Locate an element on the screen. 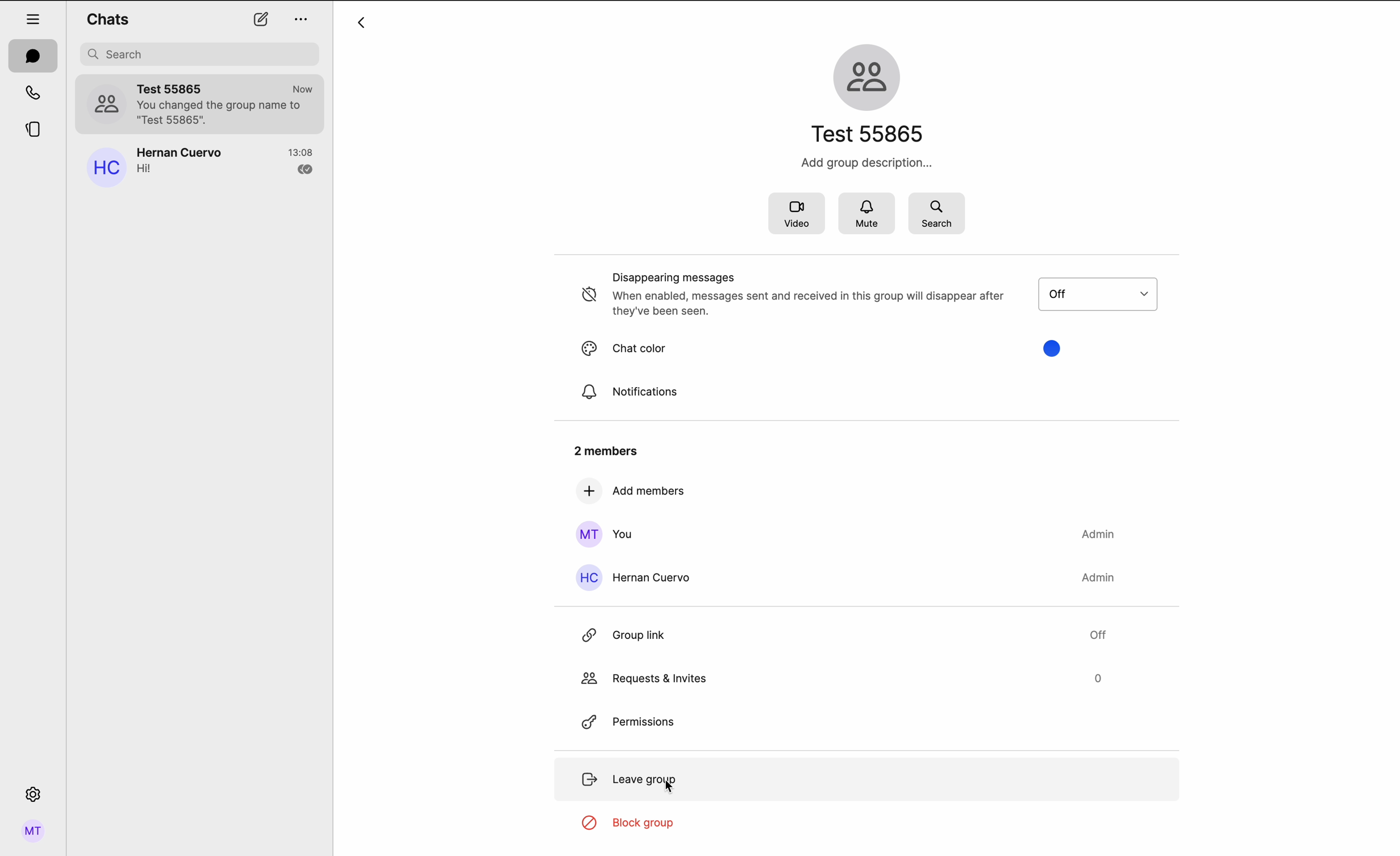  more options is located at coordinates (303, 21).